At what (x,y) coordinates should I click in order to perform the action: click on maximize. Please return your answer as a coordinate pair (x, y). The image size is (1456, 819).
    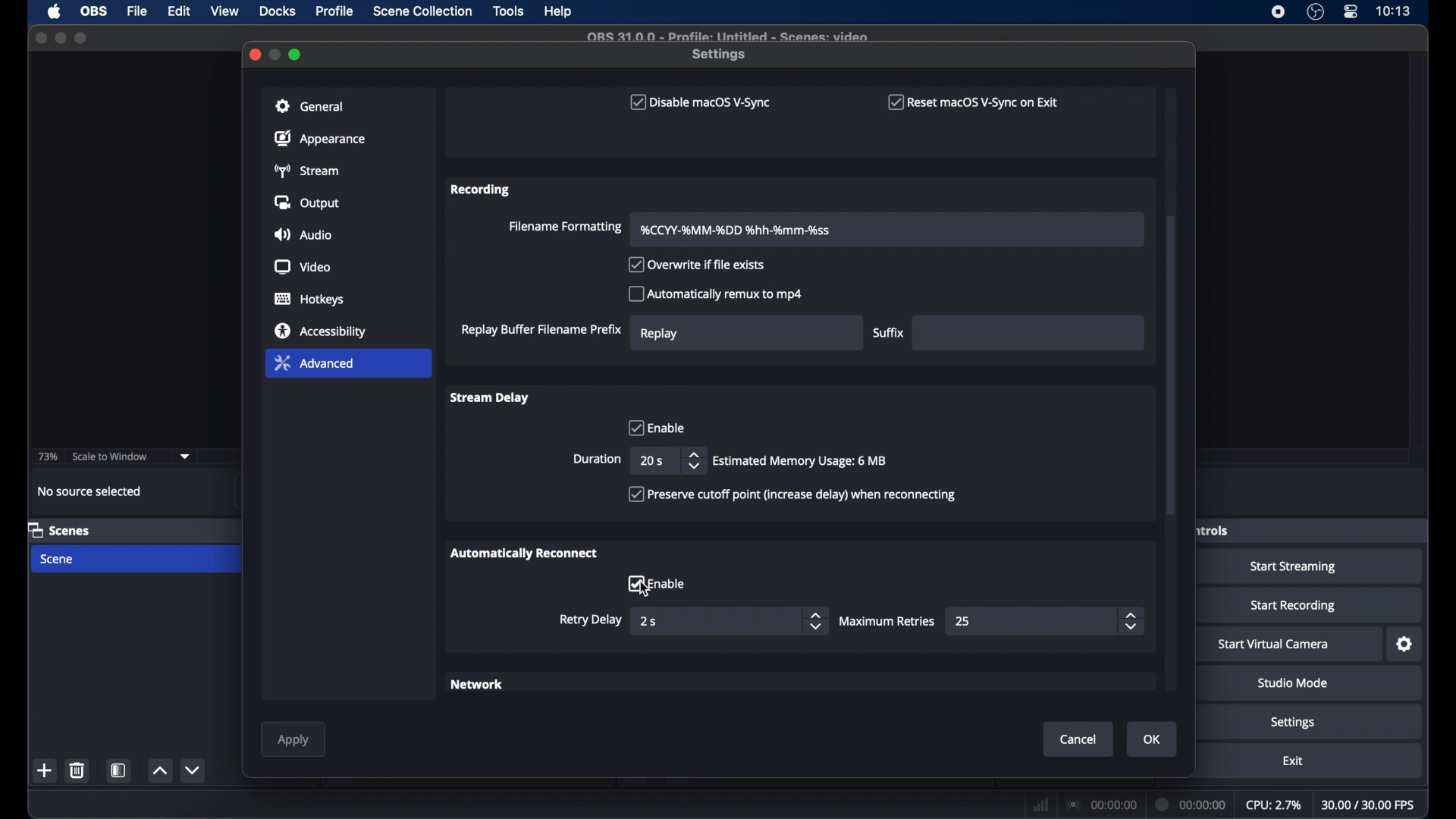
    Looking at the image, I should click on (297, 55).